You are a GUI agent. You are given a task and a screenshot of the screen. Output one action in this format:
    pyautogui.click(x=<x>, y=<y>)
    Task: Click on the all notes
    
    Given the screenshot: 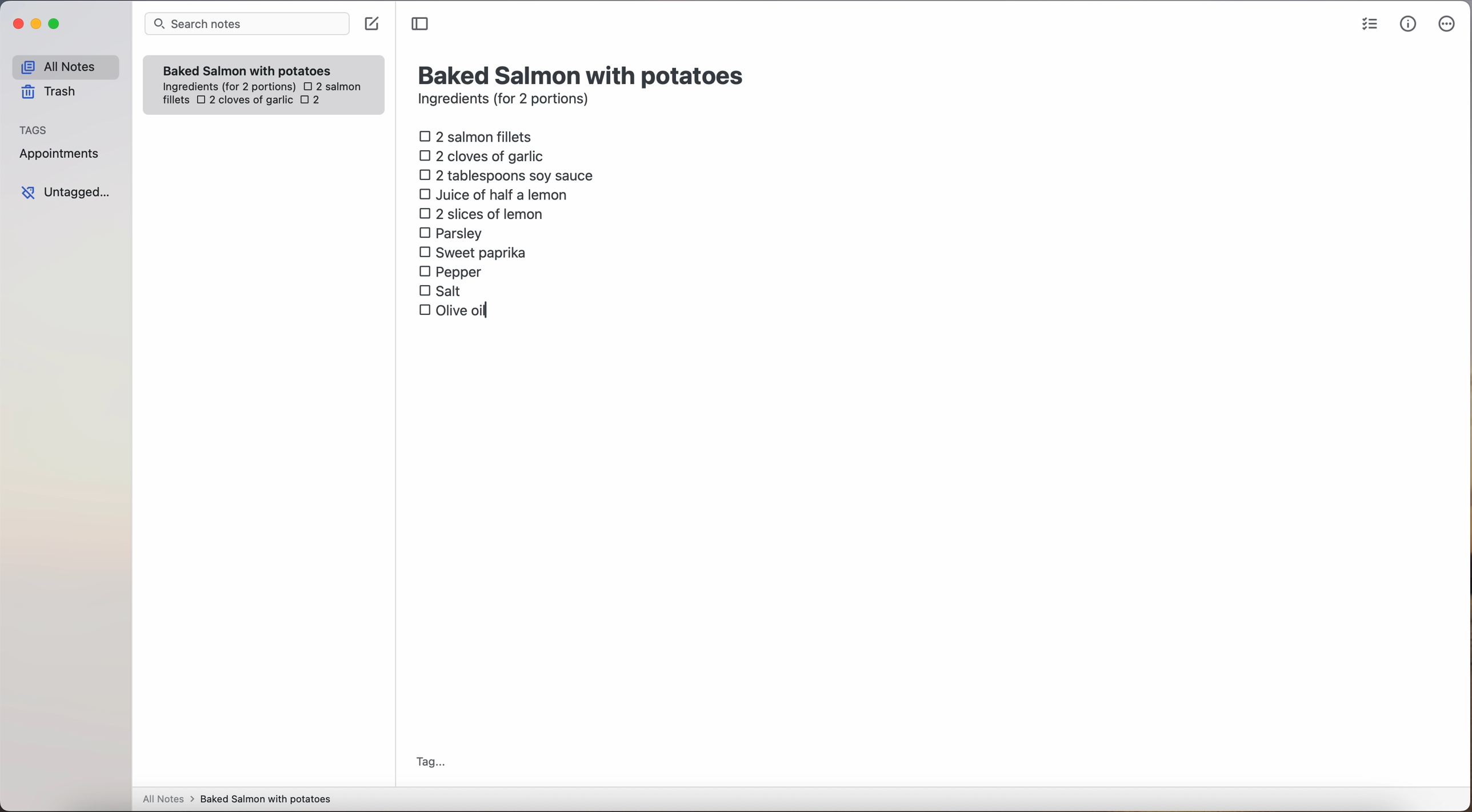 What is the action you would take?
    pyautogui.click(x=65, y=66)
    